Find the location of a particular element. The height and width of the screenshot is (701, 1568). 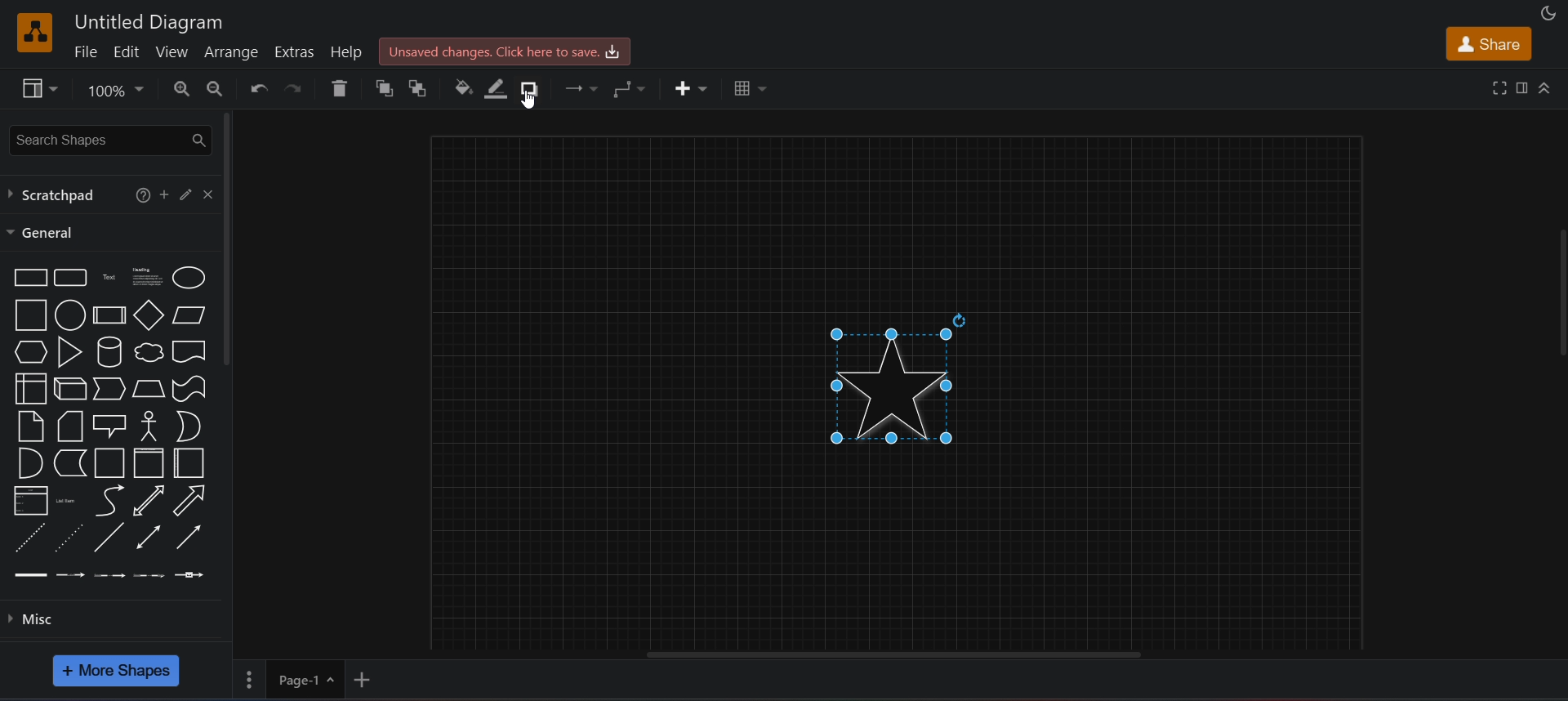

actor is located at coordinates (150, 425).